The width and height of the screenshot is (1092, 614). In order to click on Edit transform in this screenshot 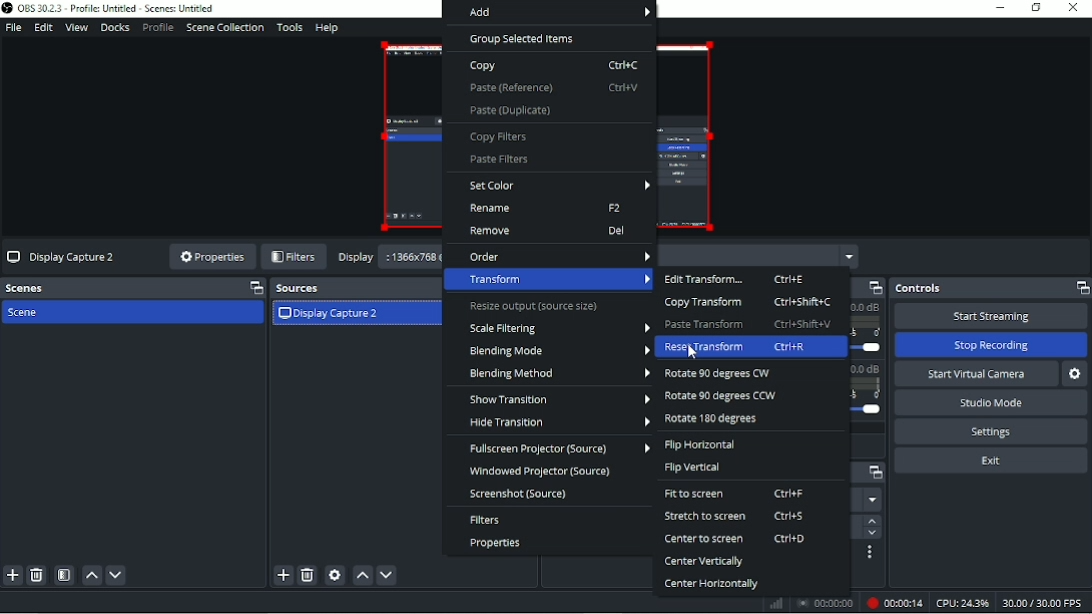, I will do `click(736, 279)`.